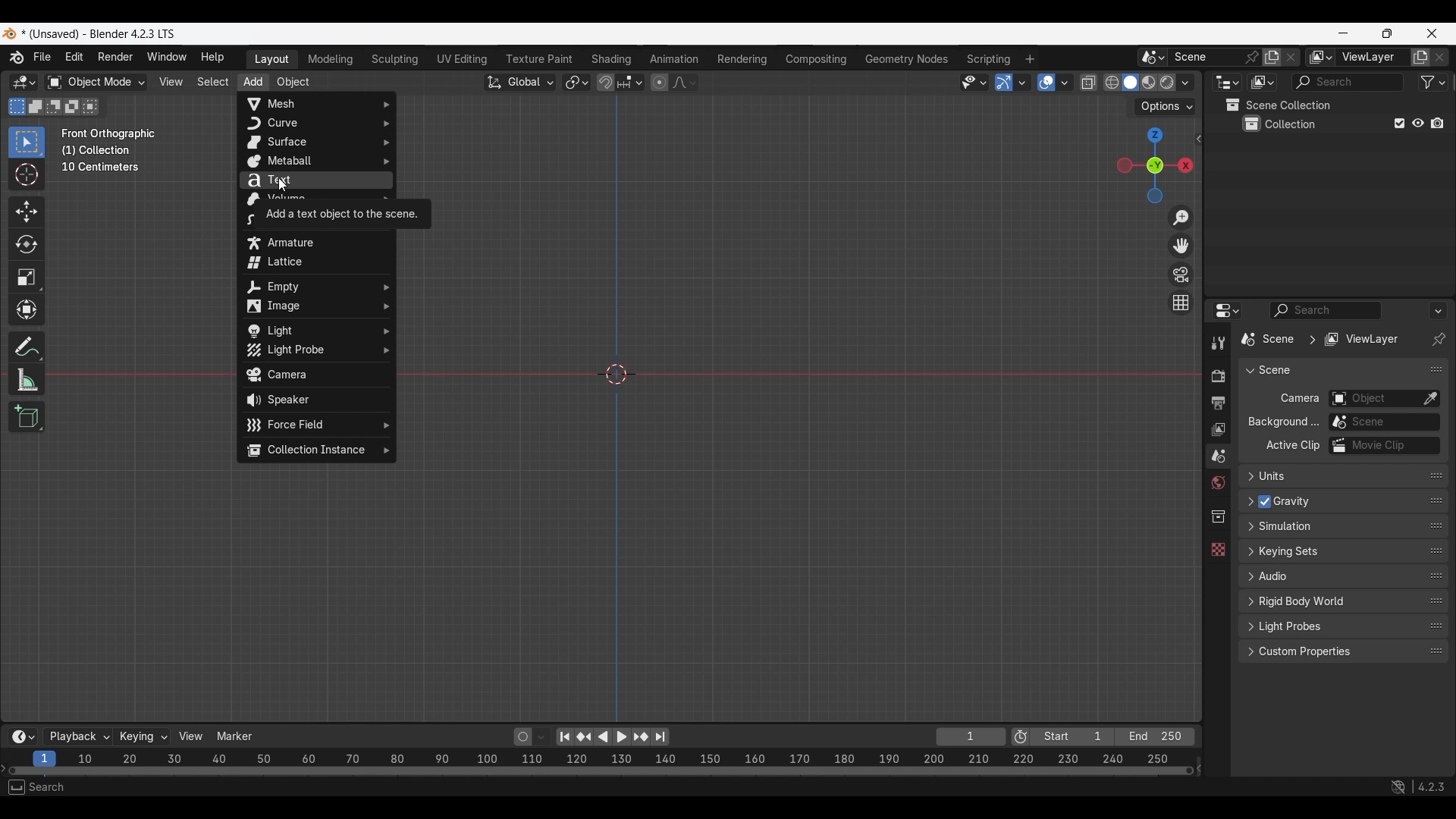 The image size is (1456, 819). I want to click on Lattice, so click(316, 263).